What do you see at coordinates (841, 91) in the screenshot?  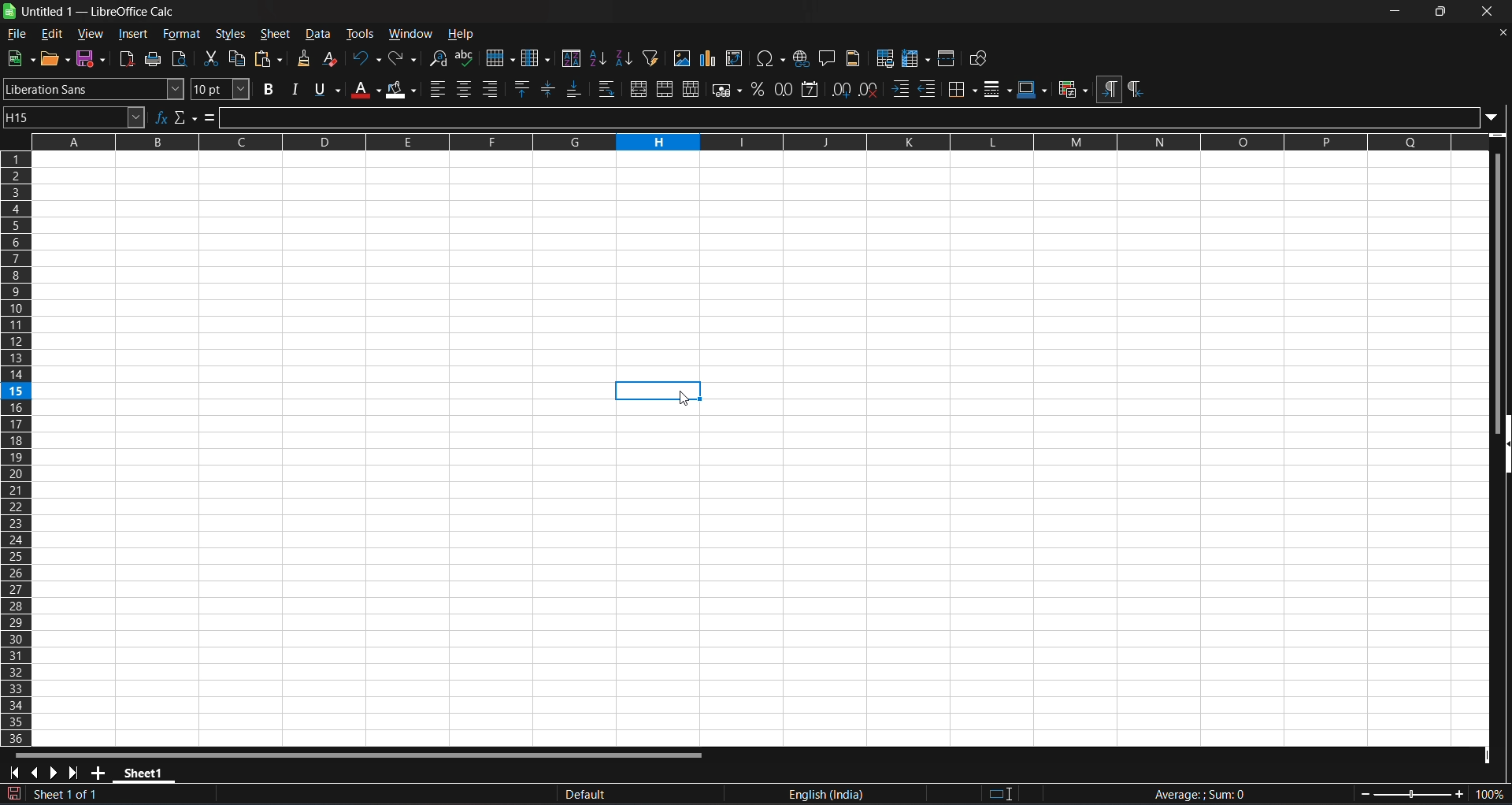 I see `add decimal place` at bounding box center [841, 91].